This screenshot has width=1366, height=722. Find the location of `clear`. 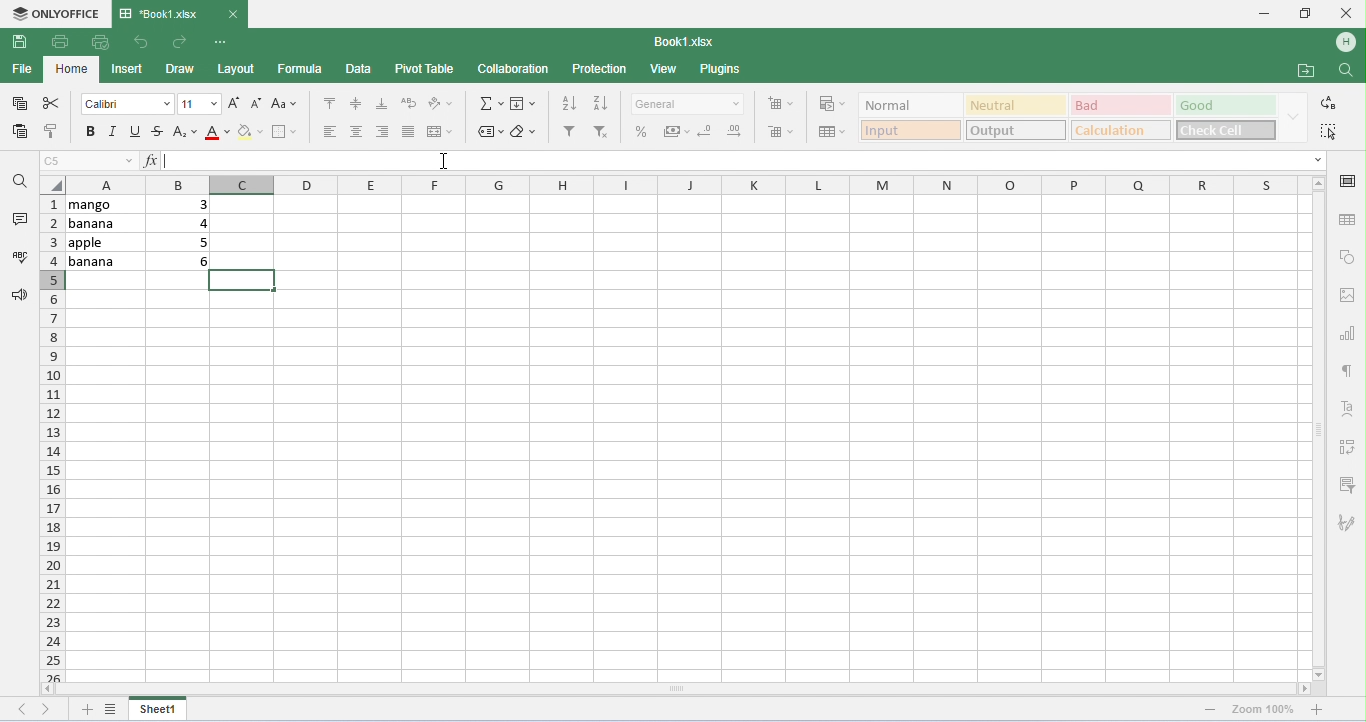

clear is located at coordinates (524, 132).